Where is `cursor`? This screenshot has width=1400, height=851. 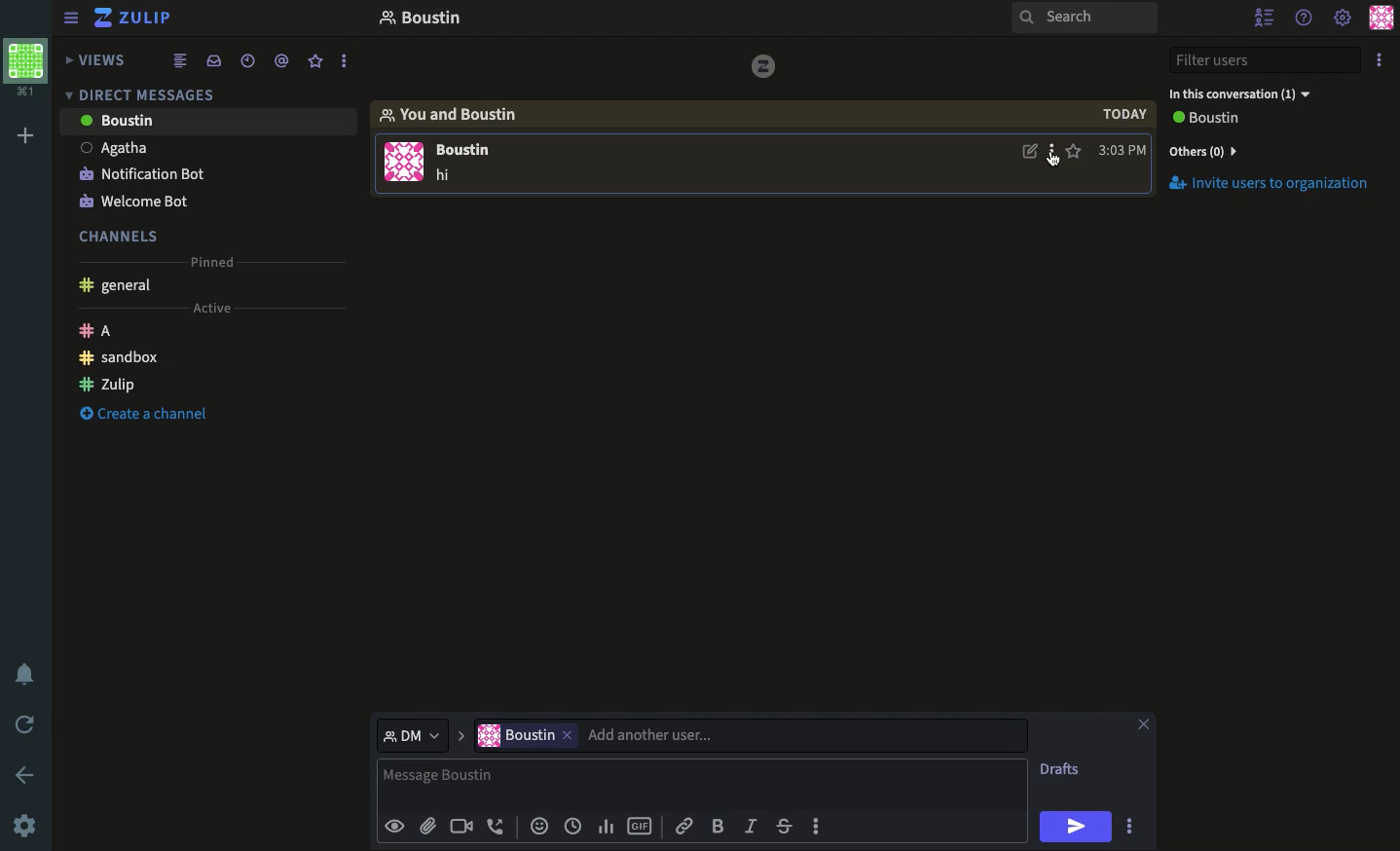 cursor is located at coordinates (1053, 162).